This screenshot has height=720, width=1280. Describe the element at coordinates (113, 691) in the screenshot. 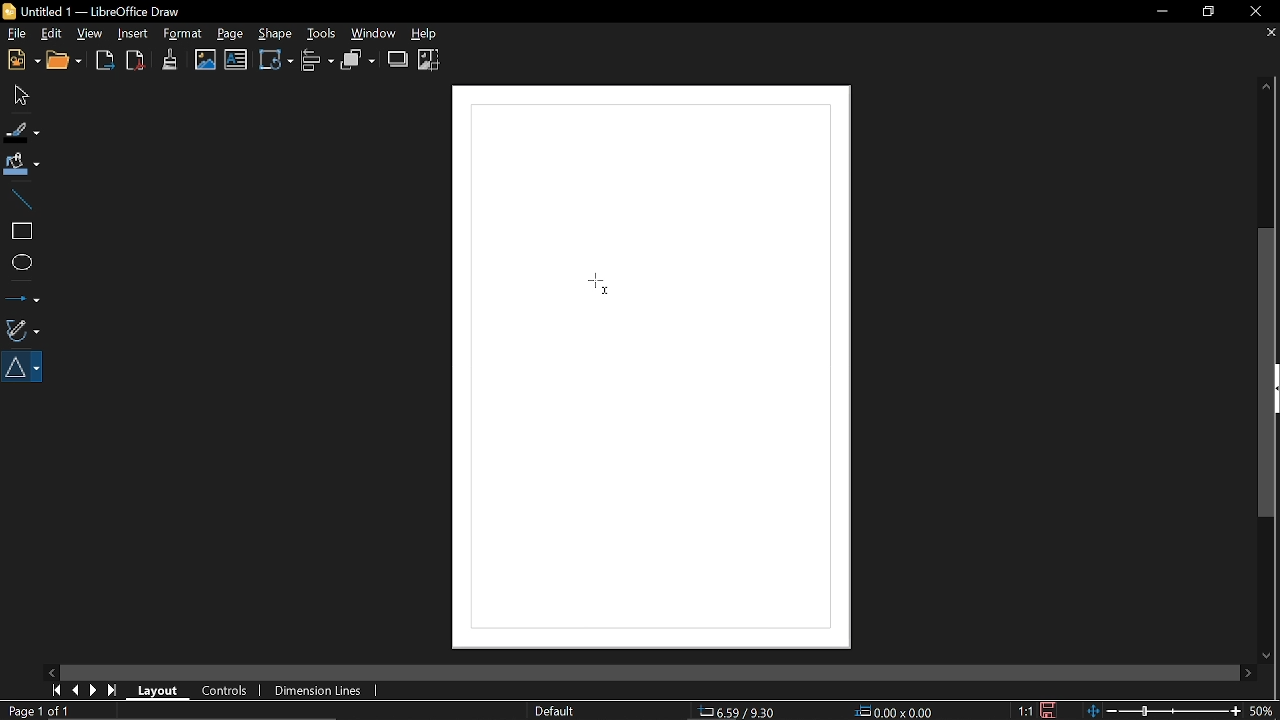

I see `Last Page` at that location.